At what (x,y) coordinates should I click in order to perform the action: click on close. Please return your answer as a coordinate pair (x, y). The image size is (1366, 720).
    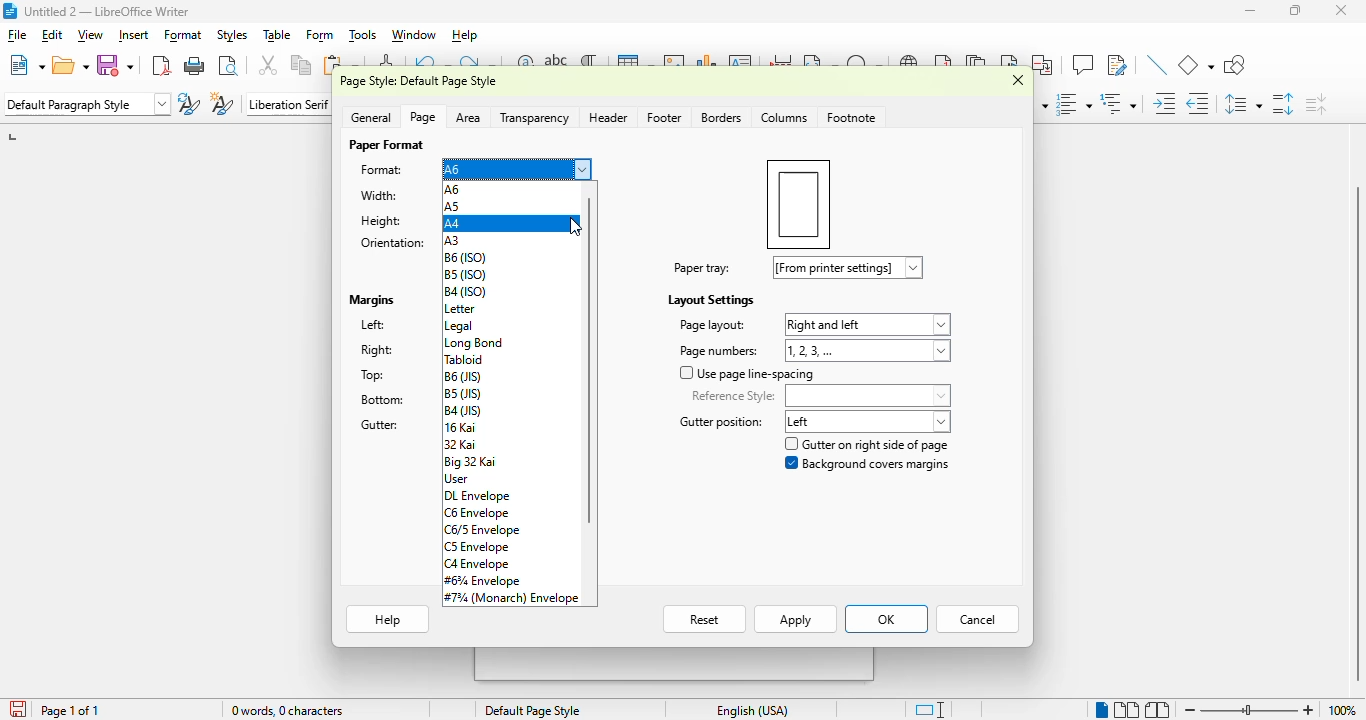
    Looking at the image, I should click on (1340, 10).